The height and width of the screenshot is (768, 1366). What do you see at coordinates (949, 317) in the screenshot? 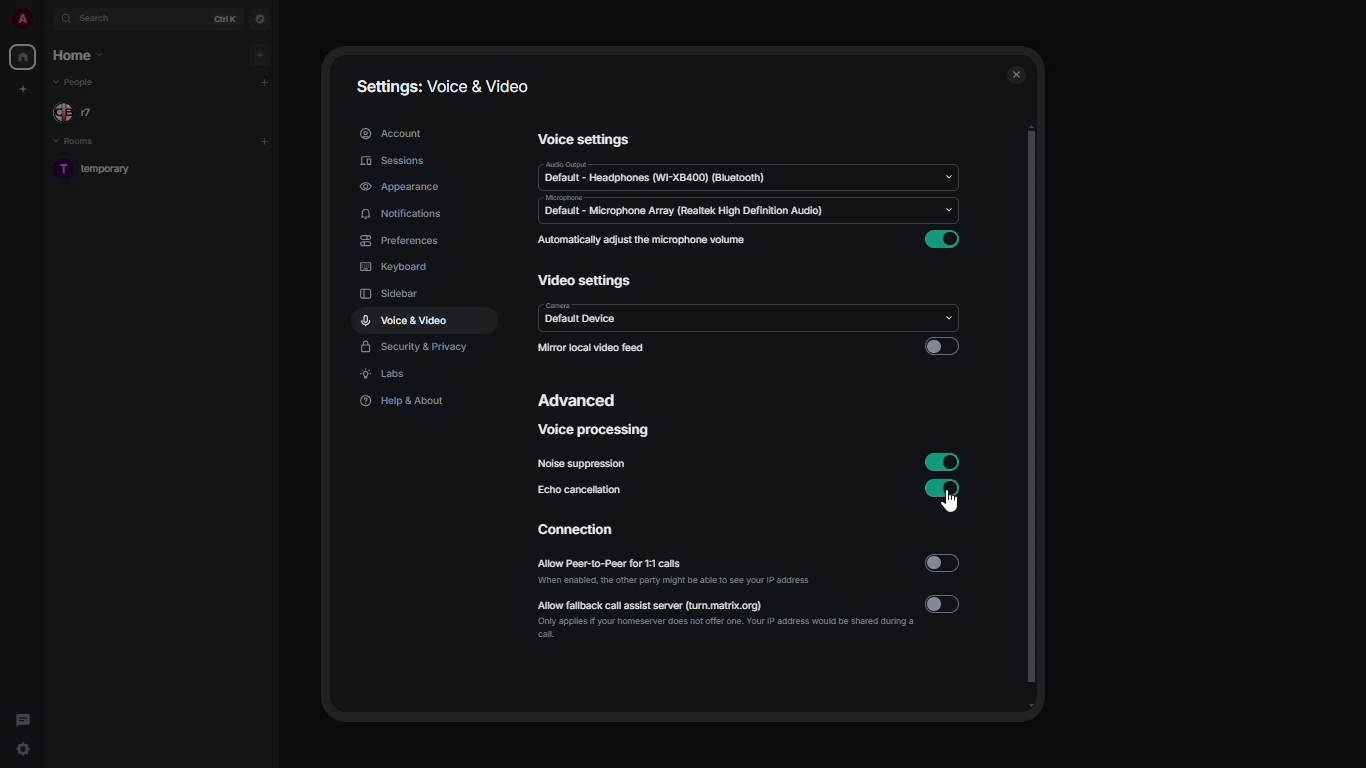
I see `drop down` at bounding box center [949, 317].